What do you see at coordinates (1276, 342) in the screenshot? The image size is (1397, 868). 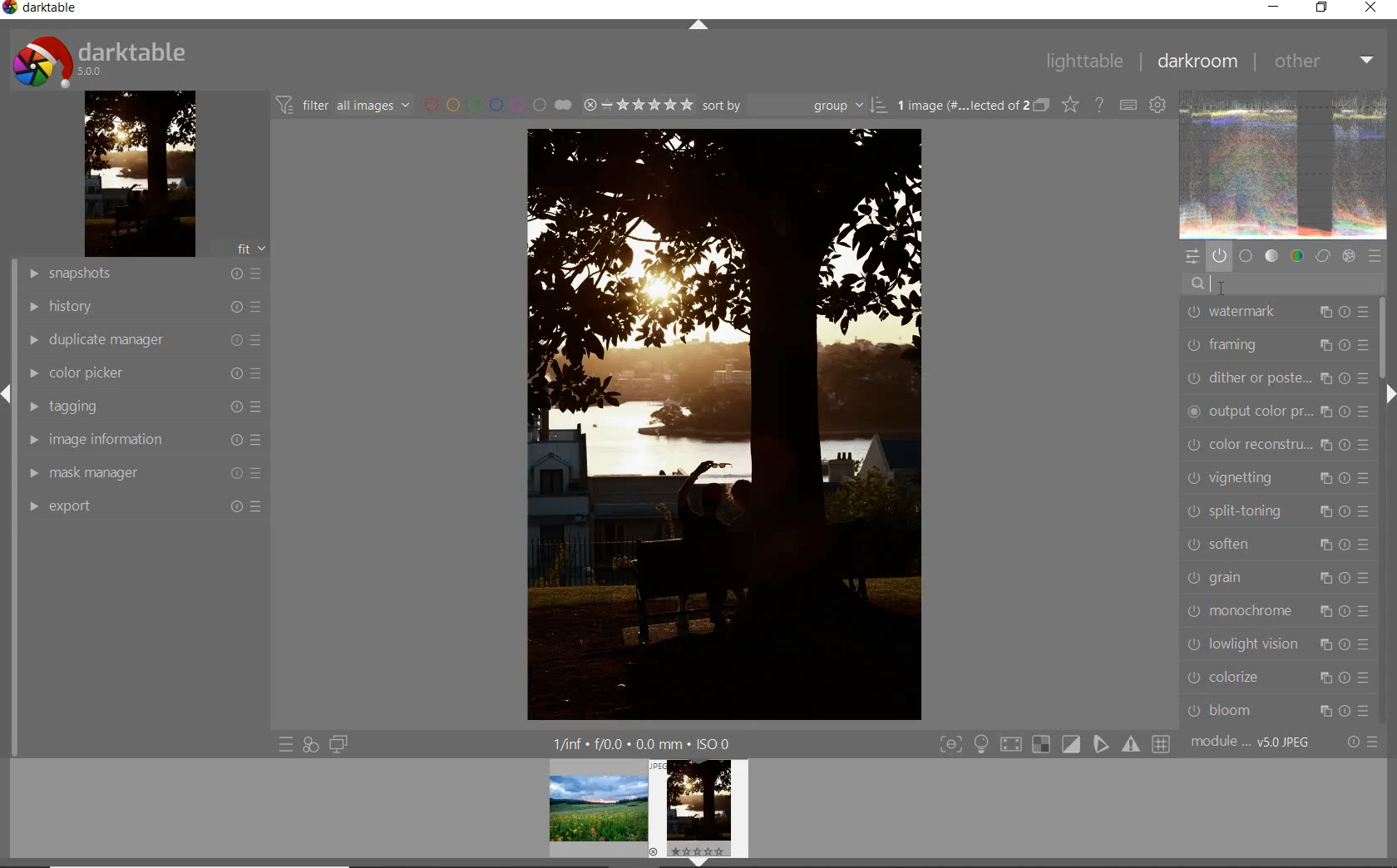 I see `framing` at bounding box center [1276, 342].